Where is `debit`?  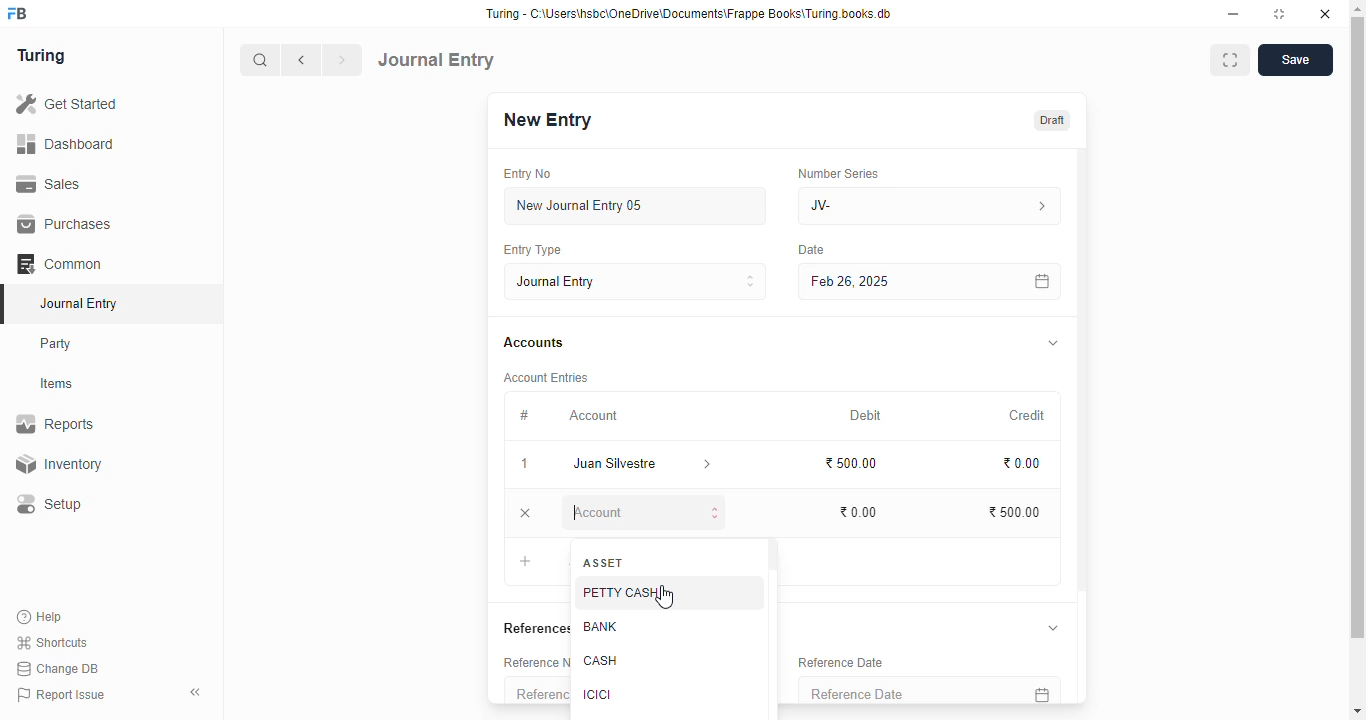 debit is located at coordinates (868, 415).